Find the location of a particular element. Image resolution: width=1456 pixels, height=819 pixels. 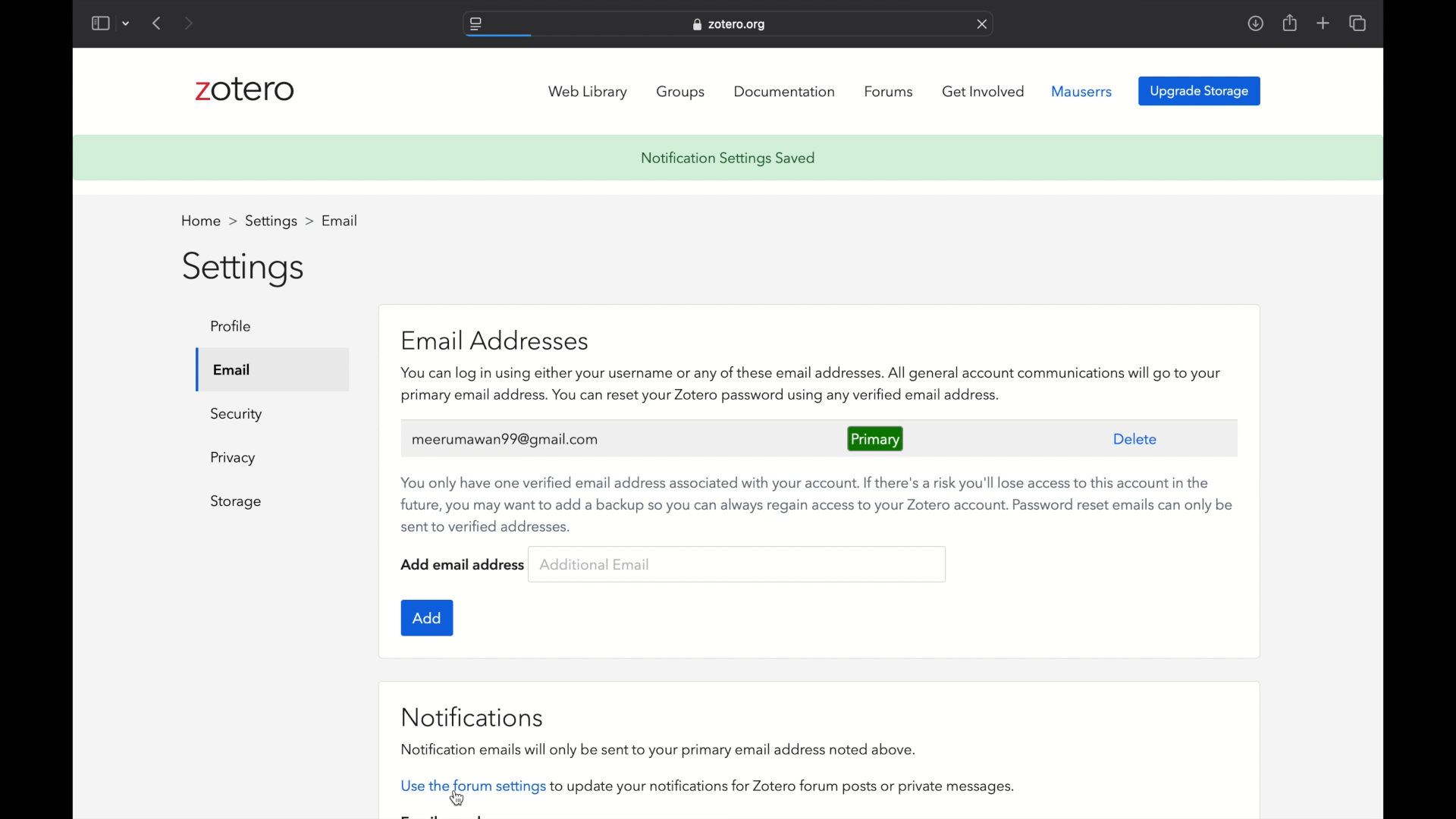

recommendation to use verified back up email address is located at coordinates (820, 505).